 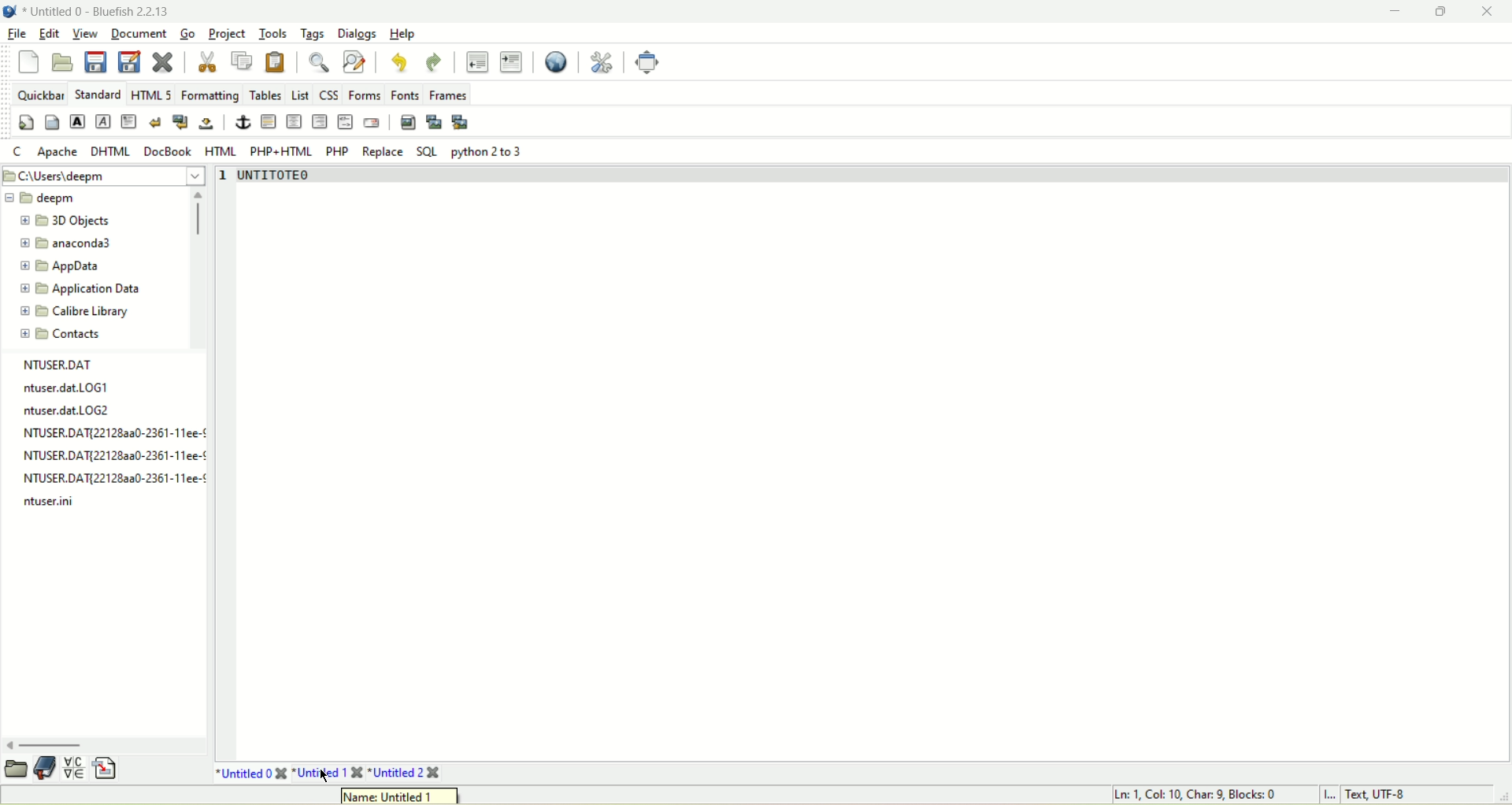 What do you see at coordinates (320, 125) in the screenshot?
I see `right justify ` at bounding box center [320, 125].